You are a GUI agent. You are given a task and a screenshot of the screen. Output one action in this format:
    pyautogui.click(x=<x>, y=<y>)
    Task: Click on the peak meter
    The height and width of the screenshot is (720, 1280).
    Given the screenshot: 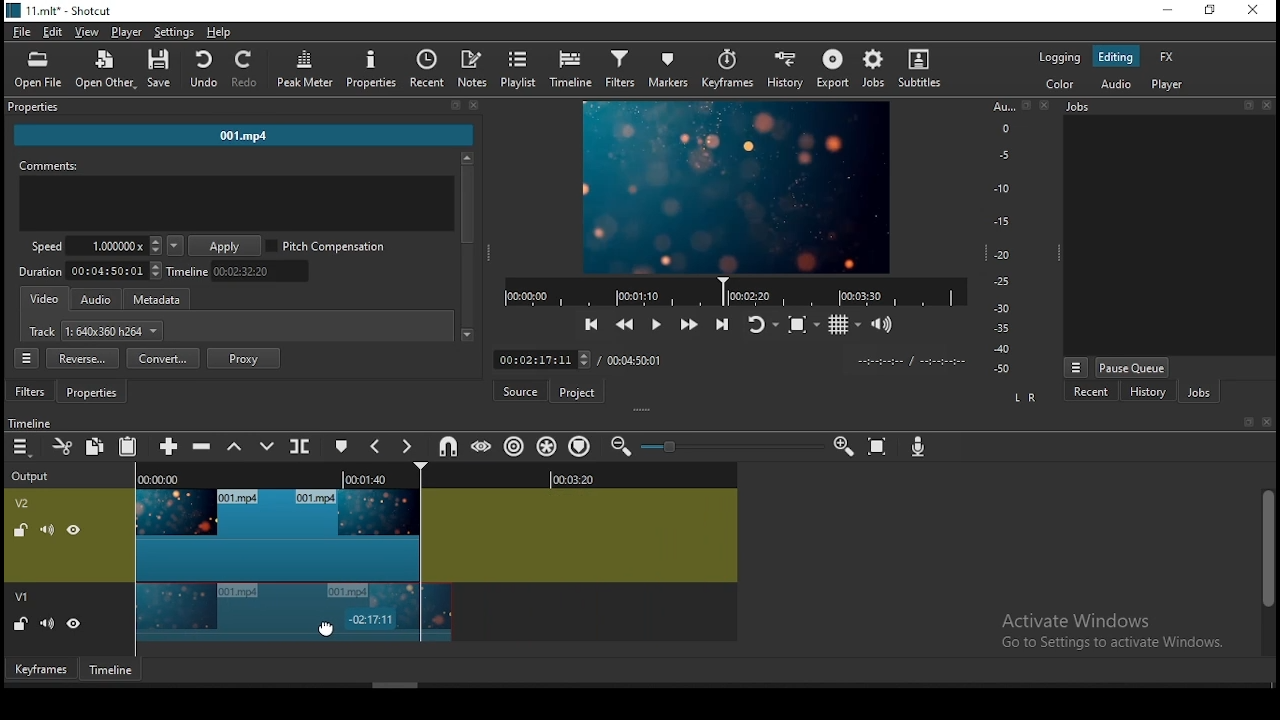 What is the action you would take?
    pyautogui.click(x=306, y=68)
    